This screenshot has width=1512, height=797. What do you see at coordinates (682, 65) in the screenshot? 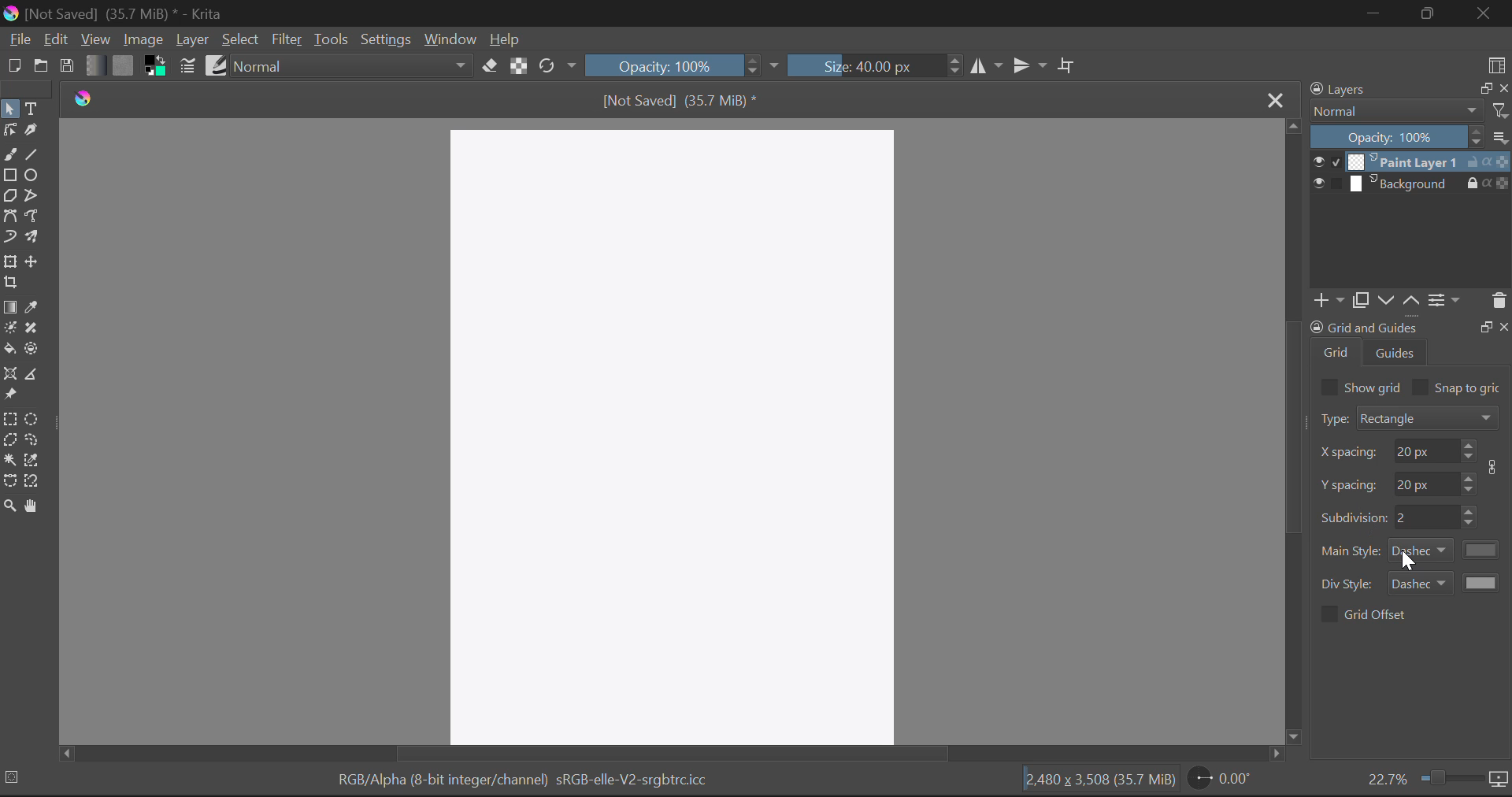
I see `Opacity` at bounding box center [682, 65].